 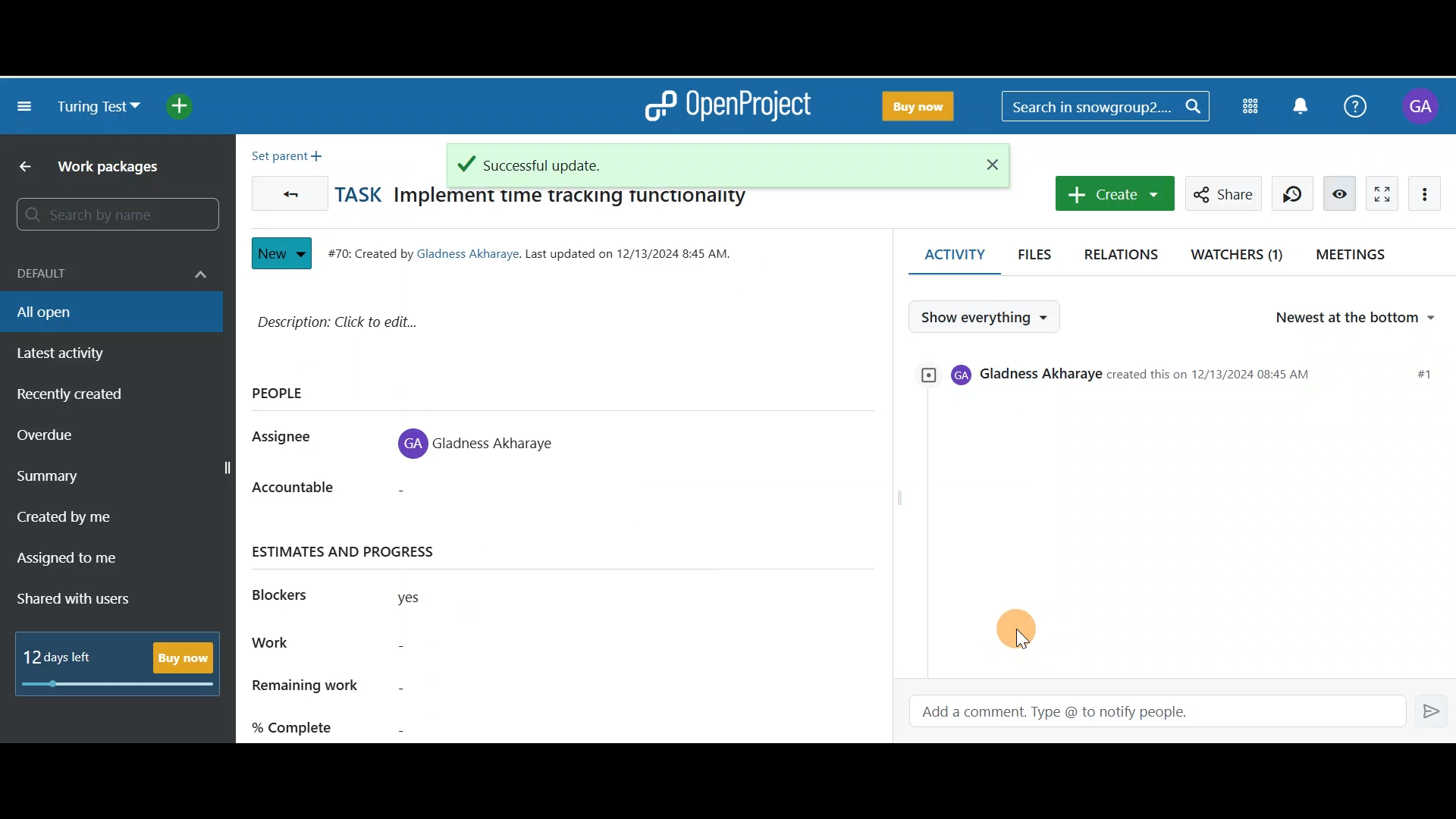 I want to click on Meetings, so click(x=1356, y=253).